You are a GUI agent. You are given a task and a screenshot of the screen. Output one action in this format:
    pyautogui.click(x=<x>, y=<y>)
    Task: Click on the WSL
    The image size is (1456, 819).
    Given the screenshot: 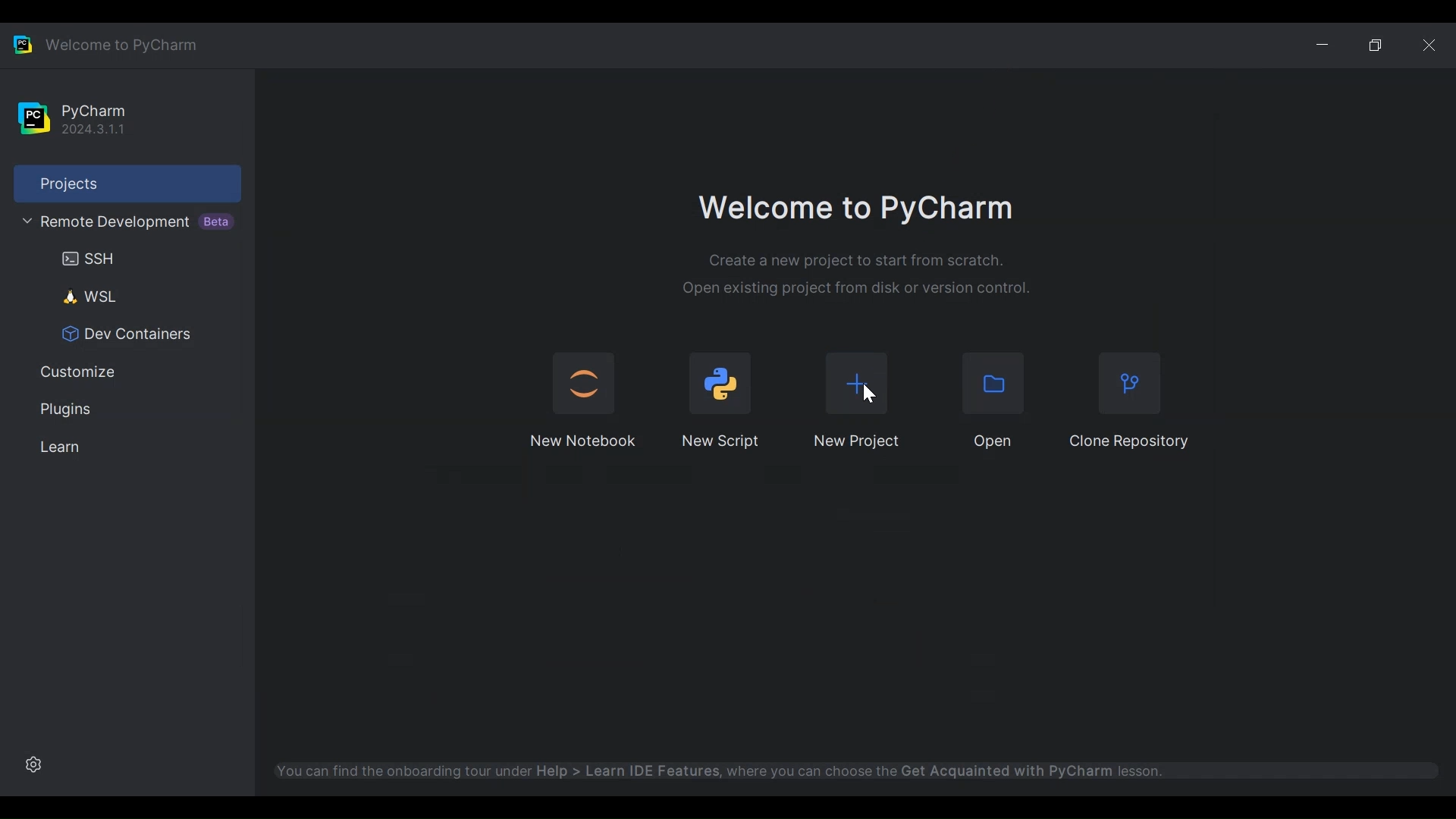 What is the action you would take?
    pyautogui.click(x=83, y=297)
    